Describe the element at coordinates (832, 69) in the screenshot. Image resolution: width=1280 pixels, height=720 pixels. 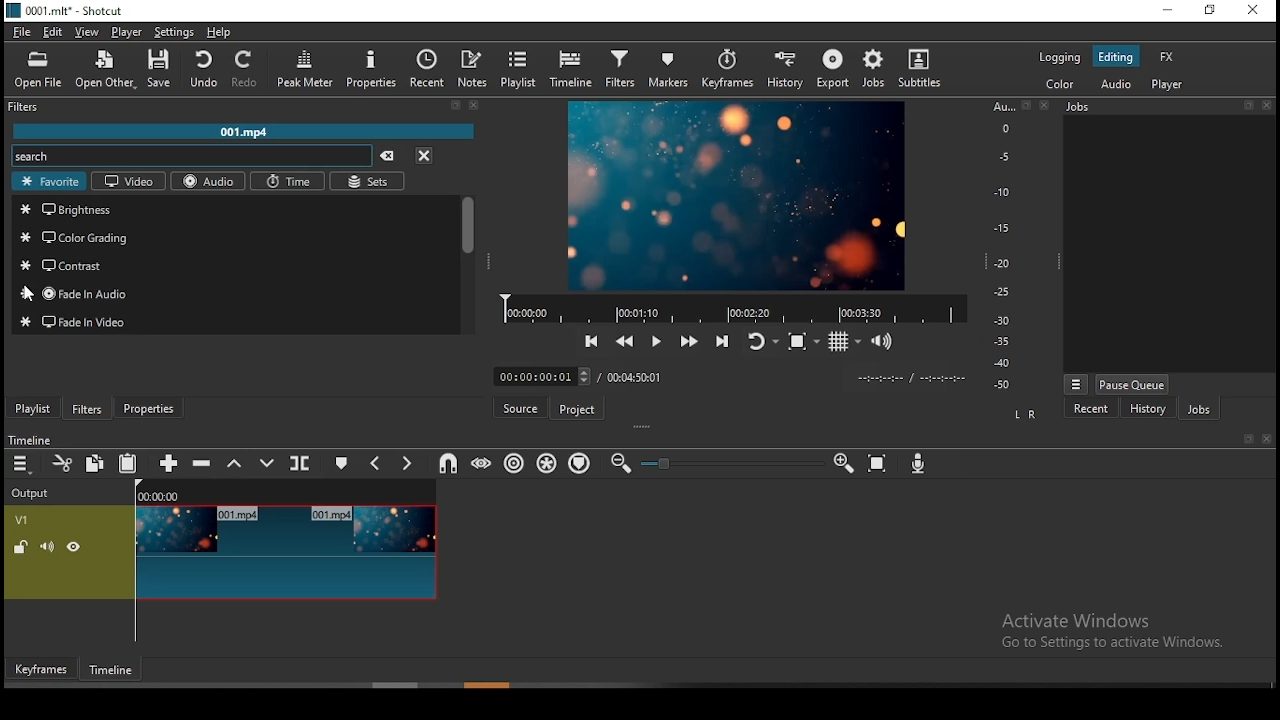
I see `export` at that location.